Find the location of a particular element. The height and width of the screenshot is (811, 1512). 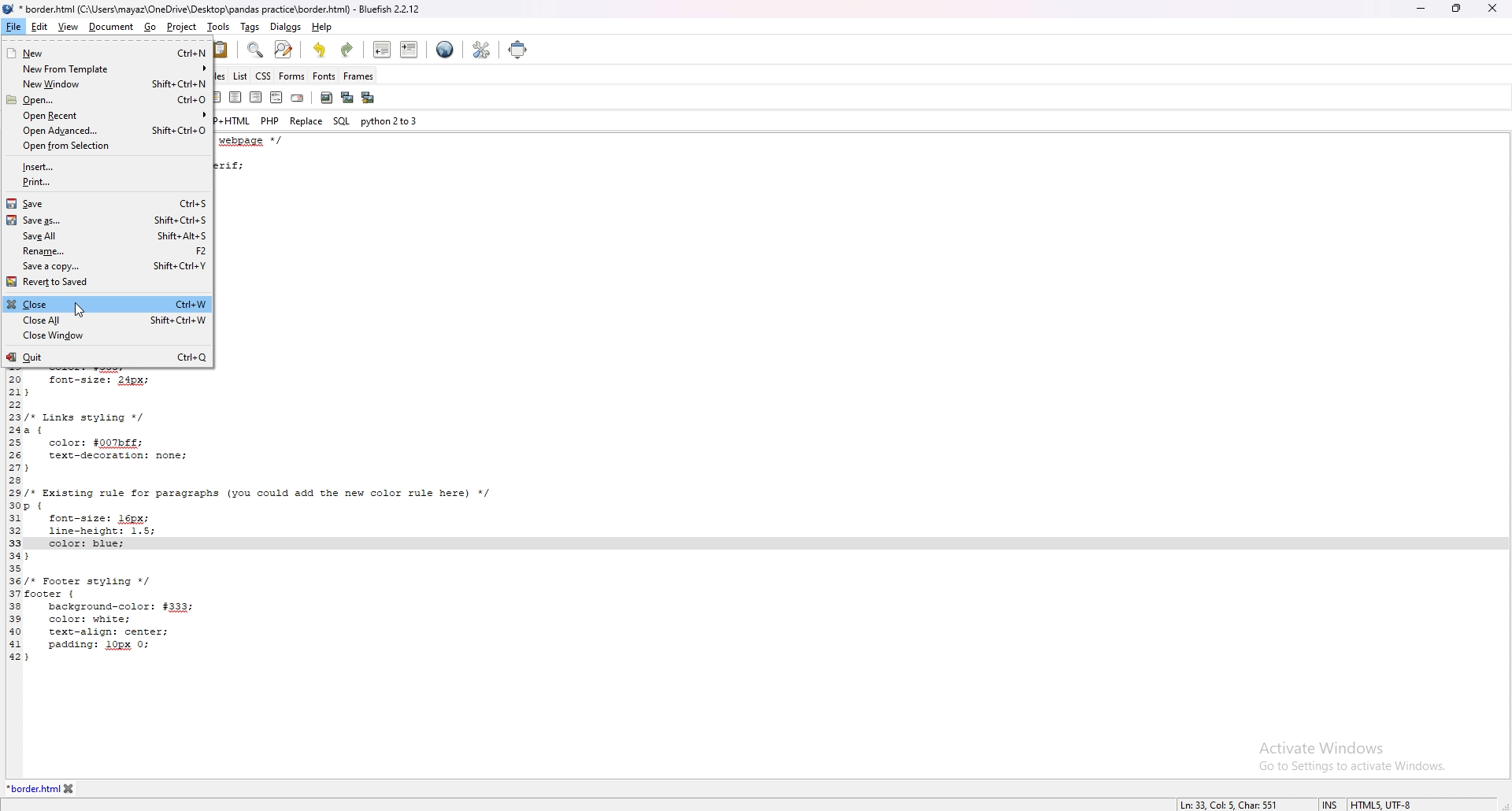

css is located at coordinates (262, 77).